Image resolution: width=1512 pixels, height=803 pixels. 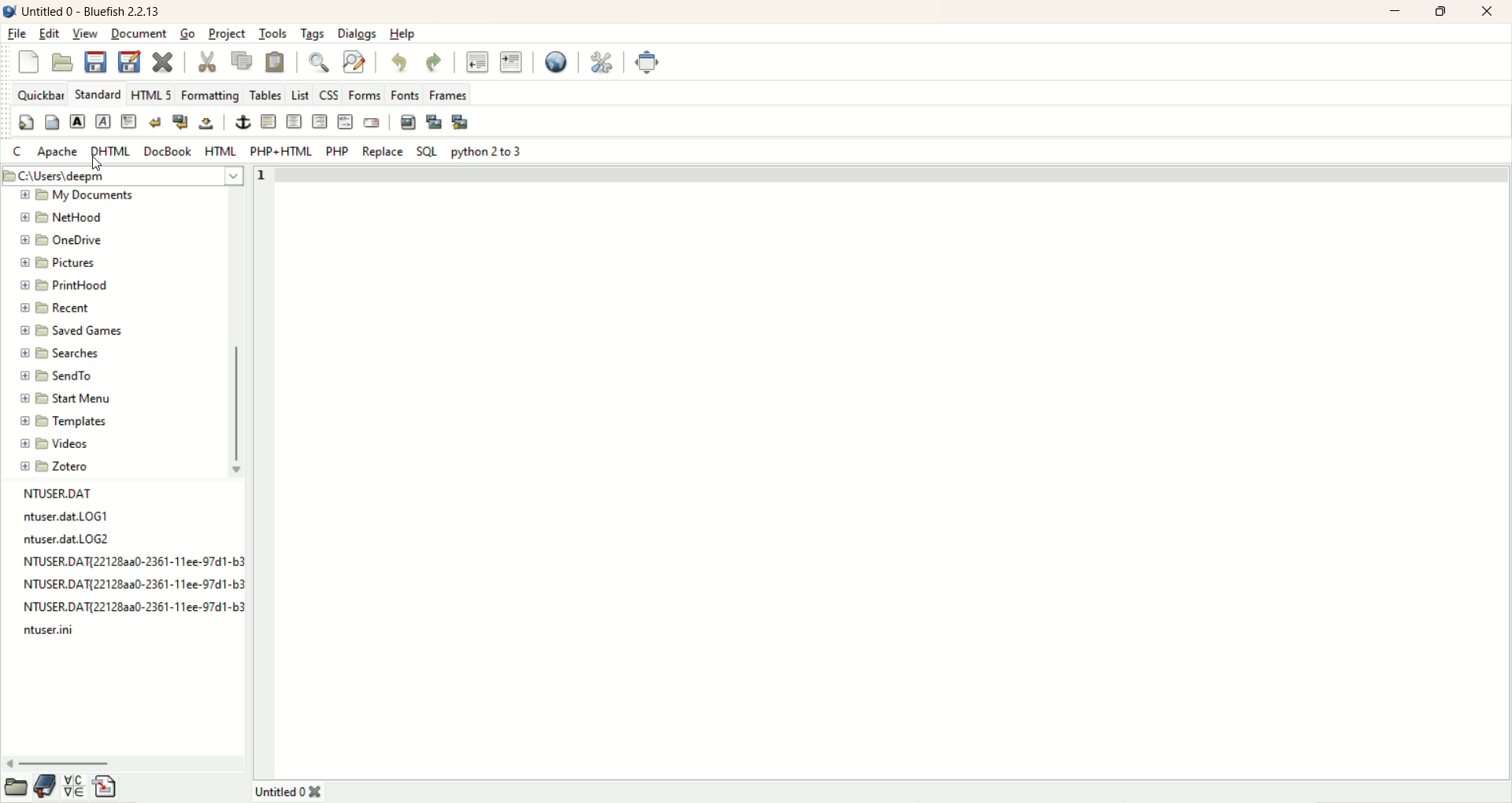 What do you see at coordinates (209, 124) in the screenshot?
I see `non-breaking space` at bounding box center [209, 124].